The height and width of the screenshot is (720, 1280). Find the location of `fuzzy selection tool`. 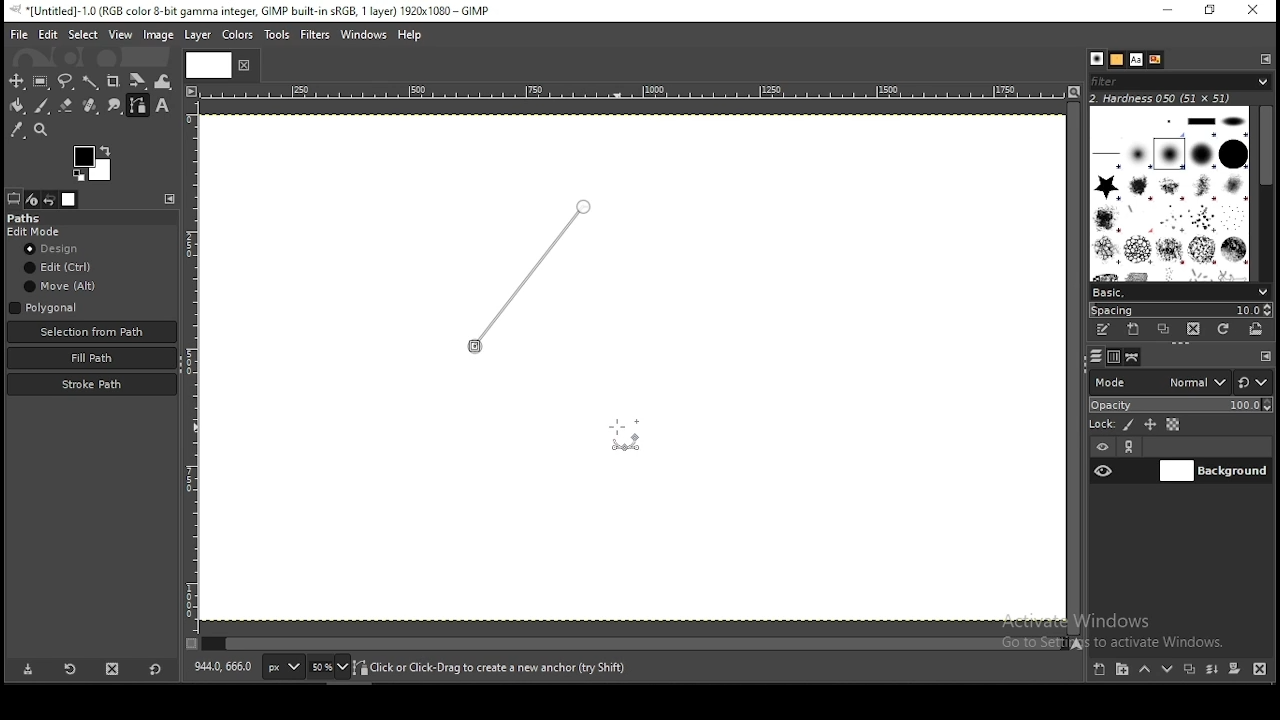

fuzzy selection tool is located at coordinates (90, 81).